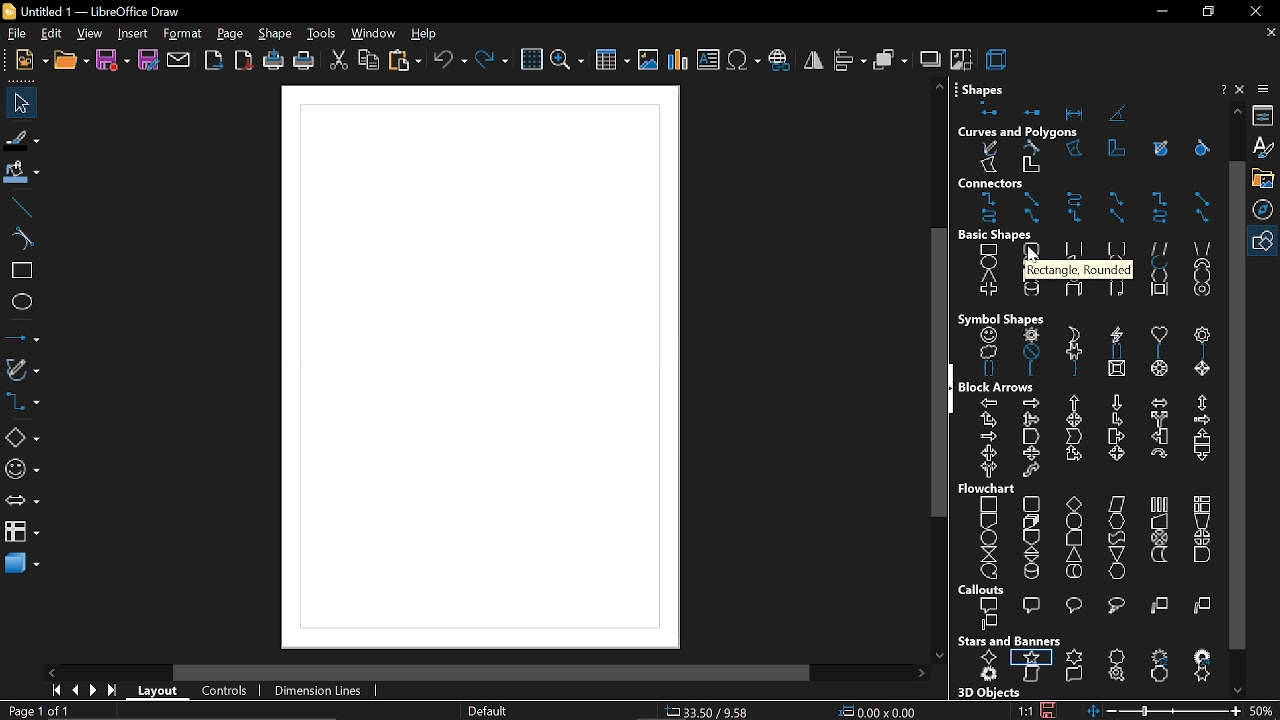  What do you see at coordinates (1092, 668) in the screenshot?
I see `stars and banners` at bounding box center [1092, 668].